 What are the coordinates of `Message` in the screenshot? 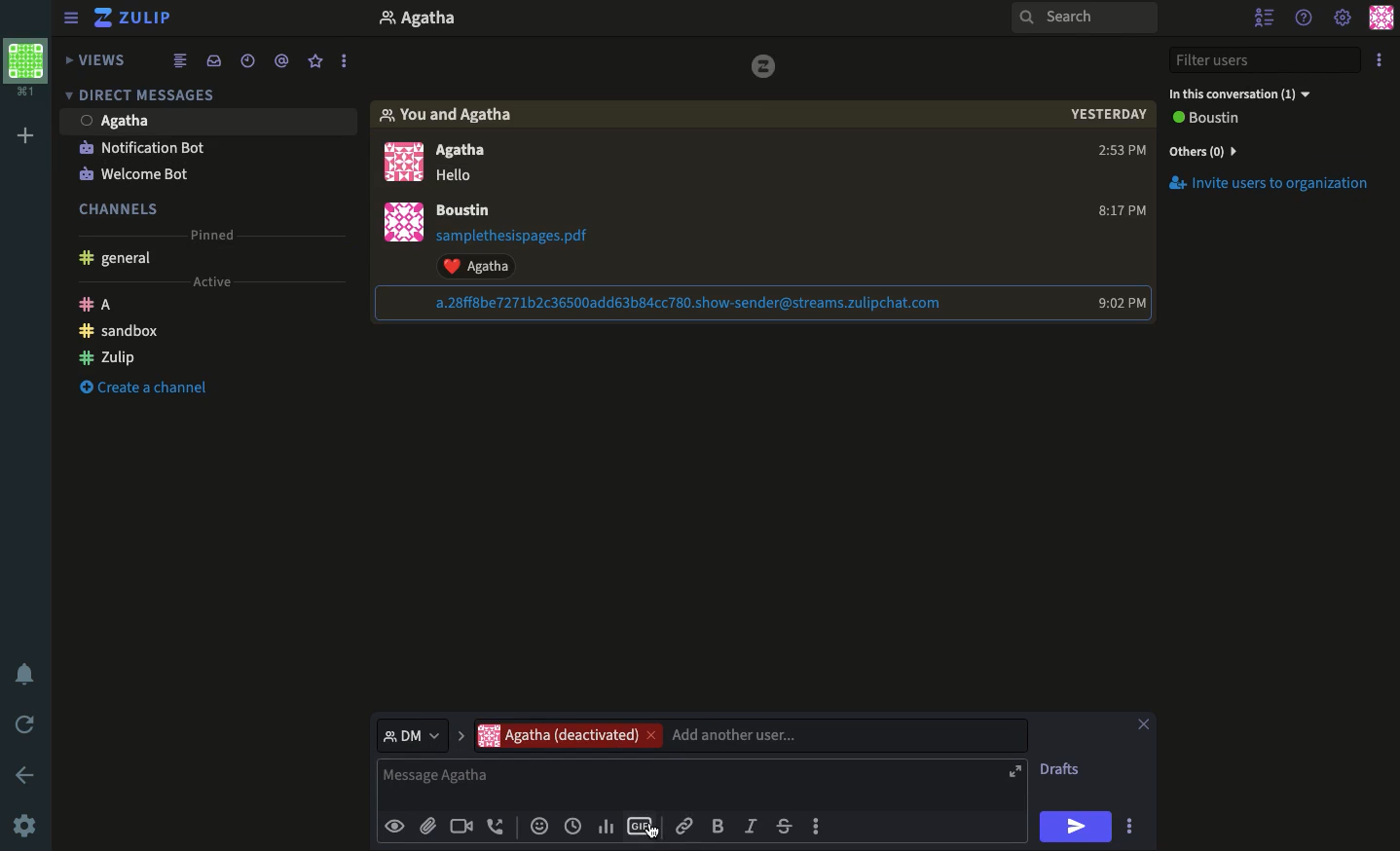 It's located at (701, 784).